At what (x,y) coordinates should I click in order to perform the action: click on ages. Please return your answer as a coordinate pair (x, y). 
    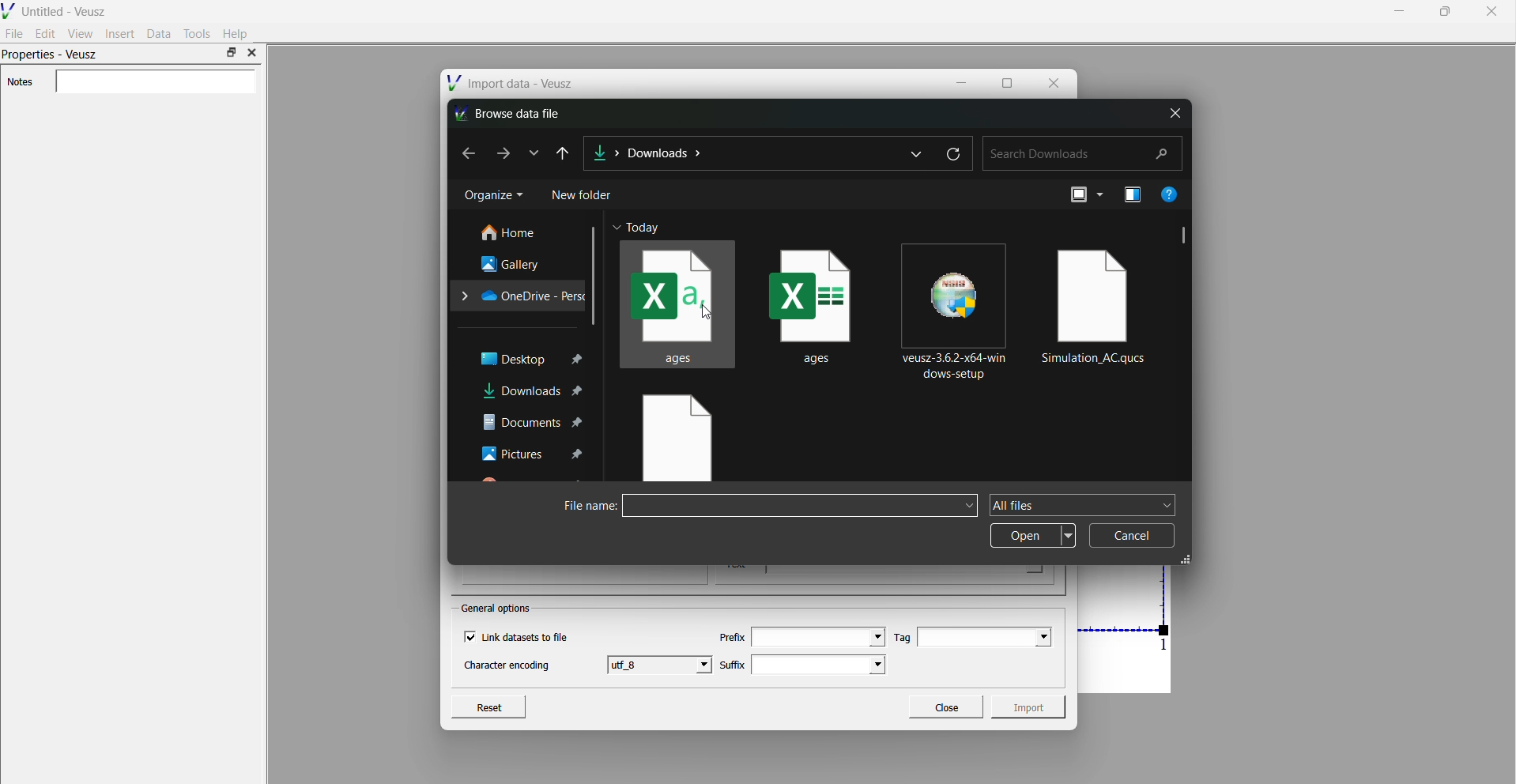
    Looking at the image, I should click on (677, 303).